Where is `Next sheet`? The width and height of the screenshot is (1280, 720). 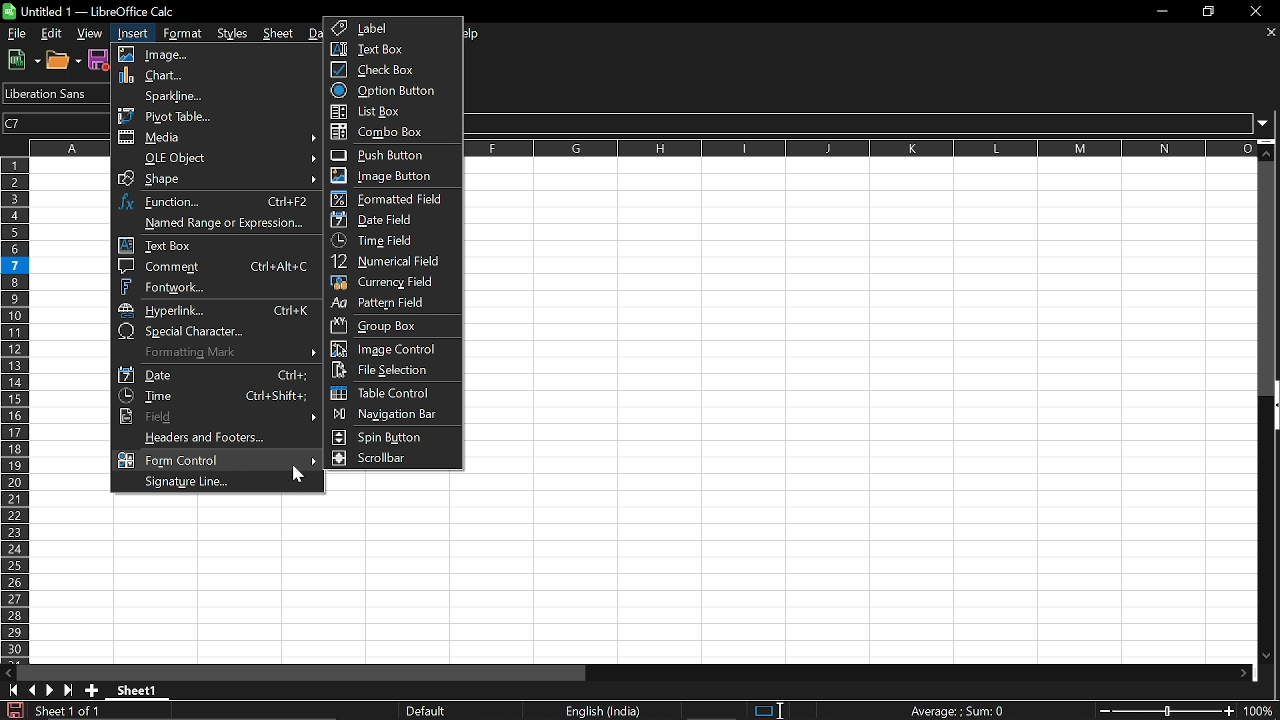
Next sheet is located at coordinates (50, 690).